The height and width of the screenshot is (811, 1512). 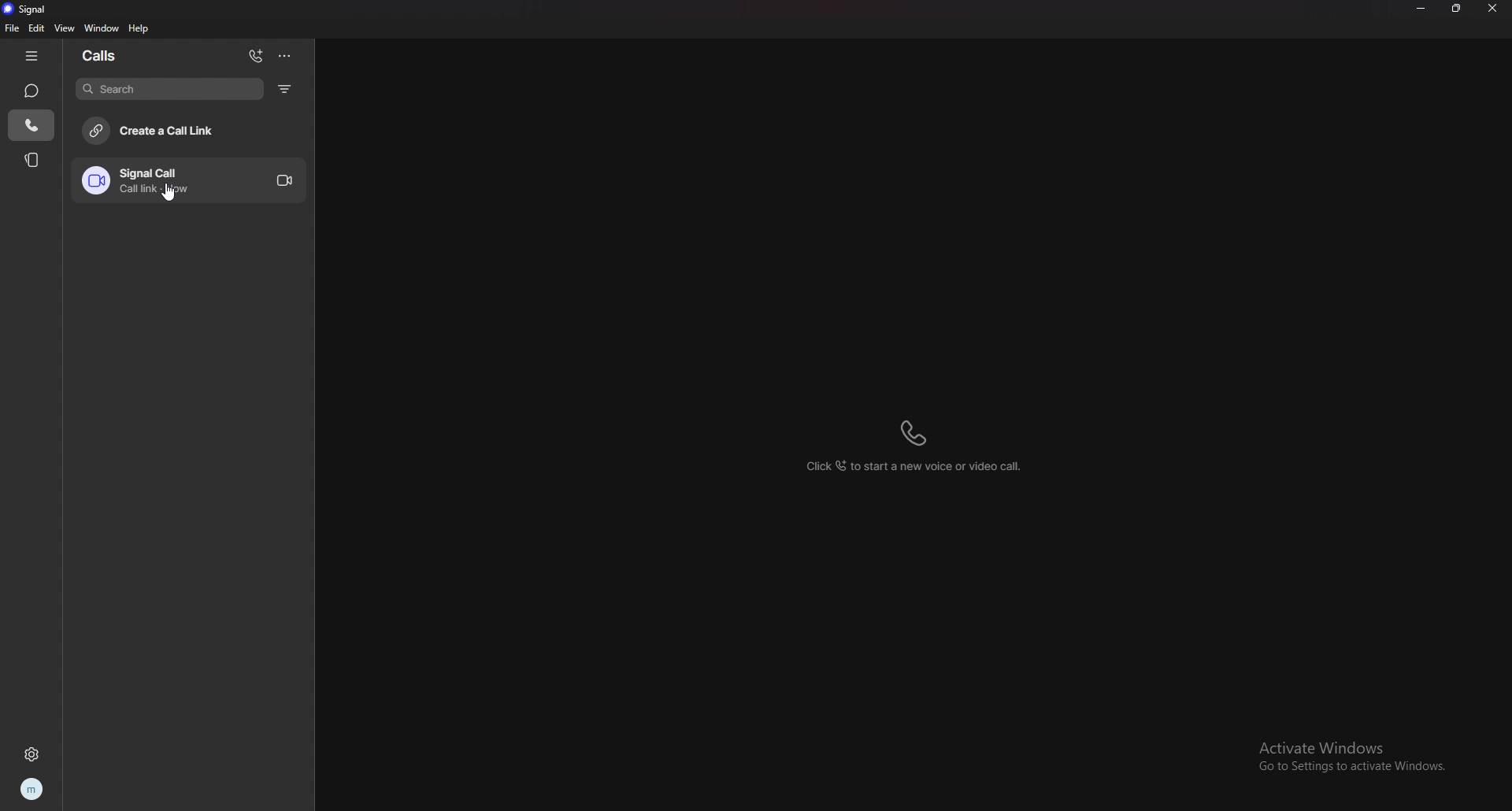 What do you see at coordinates (112, 57) in the screenshot?
I see `calls` at bounding box center [112, 57].